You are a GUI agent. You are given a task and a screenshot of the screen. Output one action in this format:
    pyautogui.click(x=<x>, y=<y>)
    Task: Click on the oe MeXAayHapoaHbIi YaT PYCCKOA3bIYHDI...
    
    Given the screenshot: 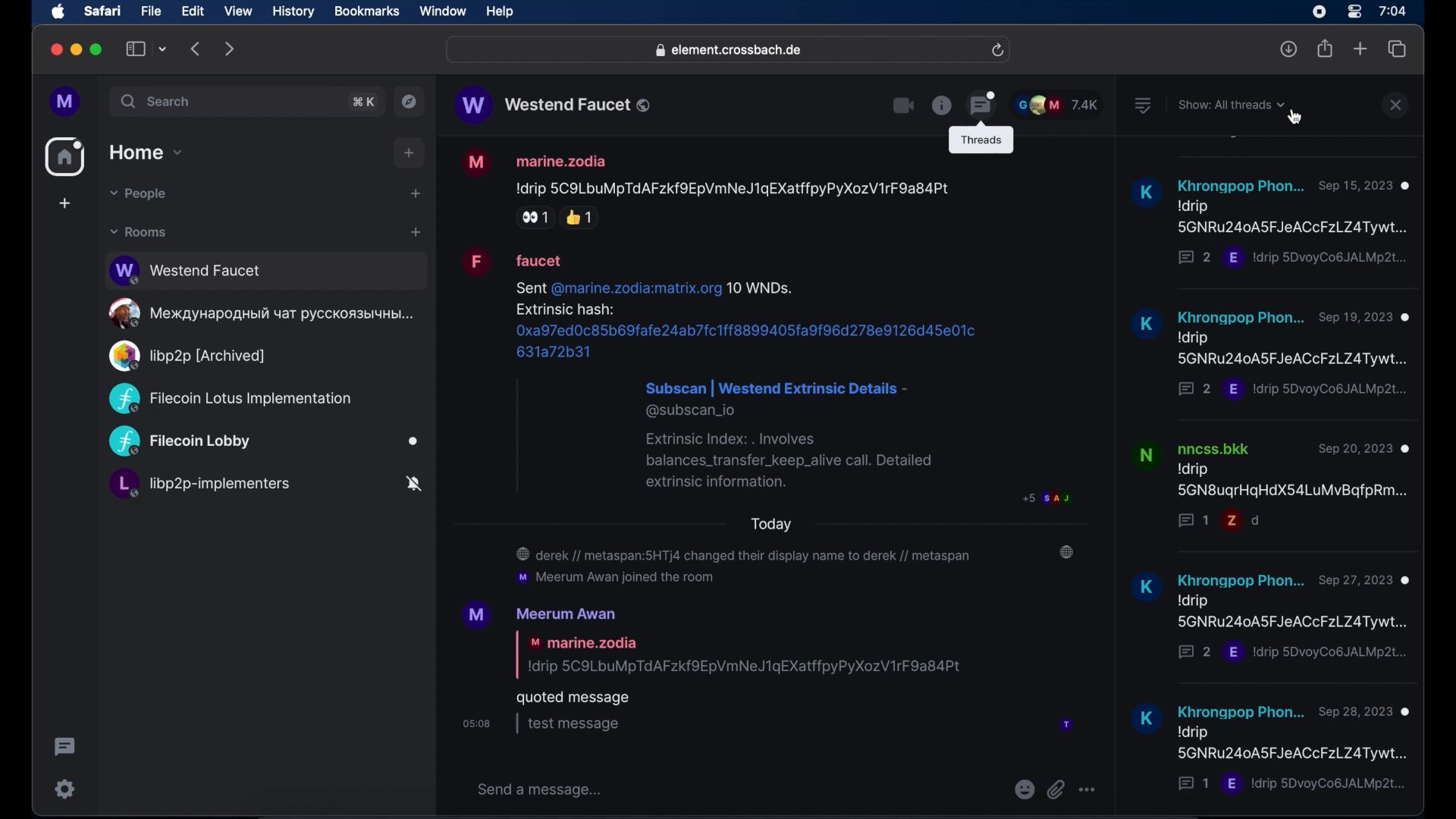 What is the action you would take?
    pyautogui.click(x=263, y=315)
    